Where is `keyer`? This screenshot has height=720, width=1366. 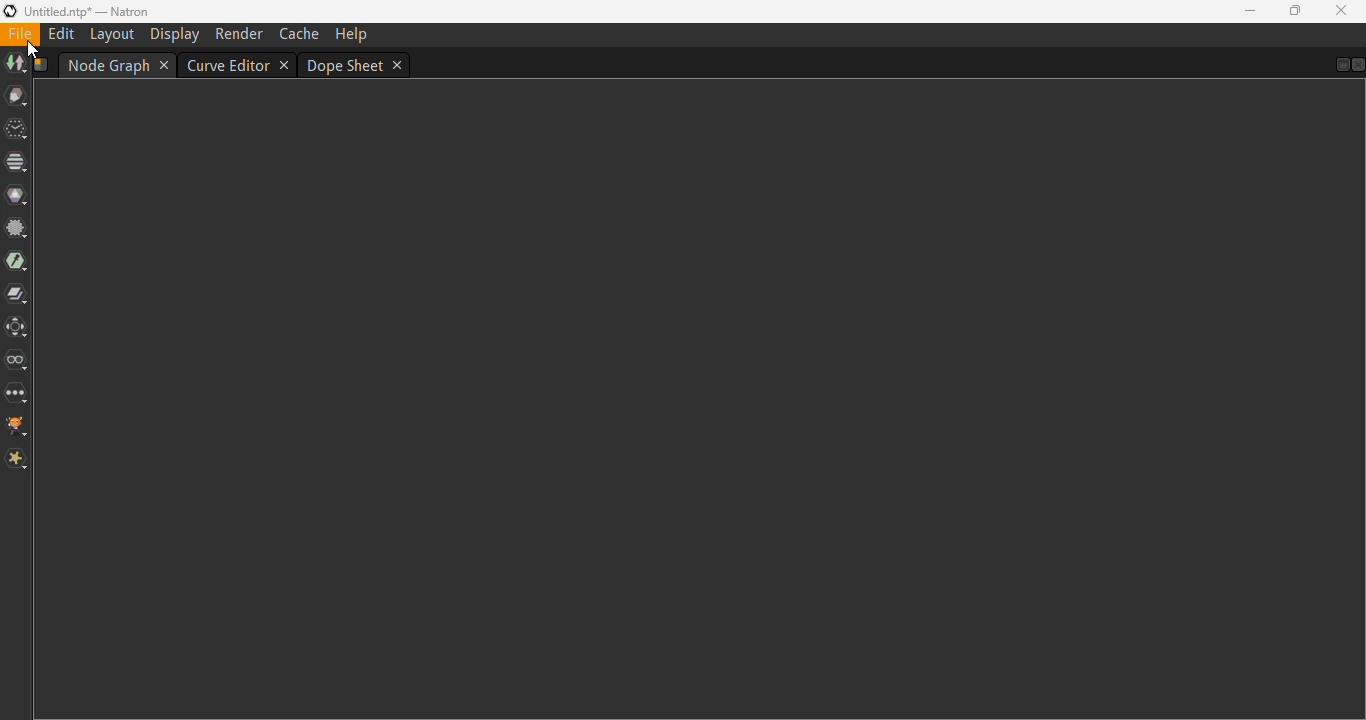 keyer is located at coordinates (16, 262).